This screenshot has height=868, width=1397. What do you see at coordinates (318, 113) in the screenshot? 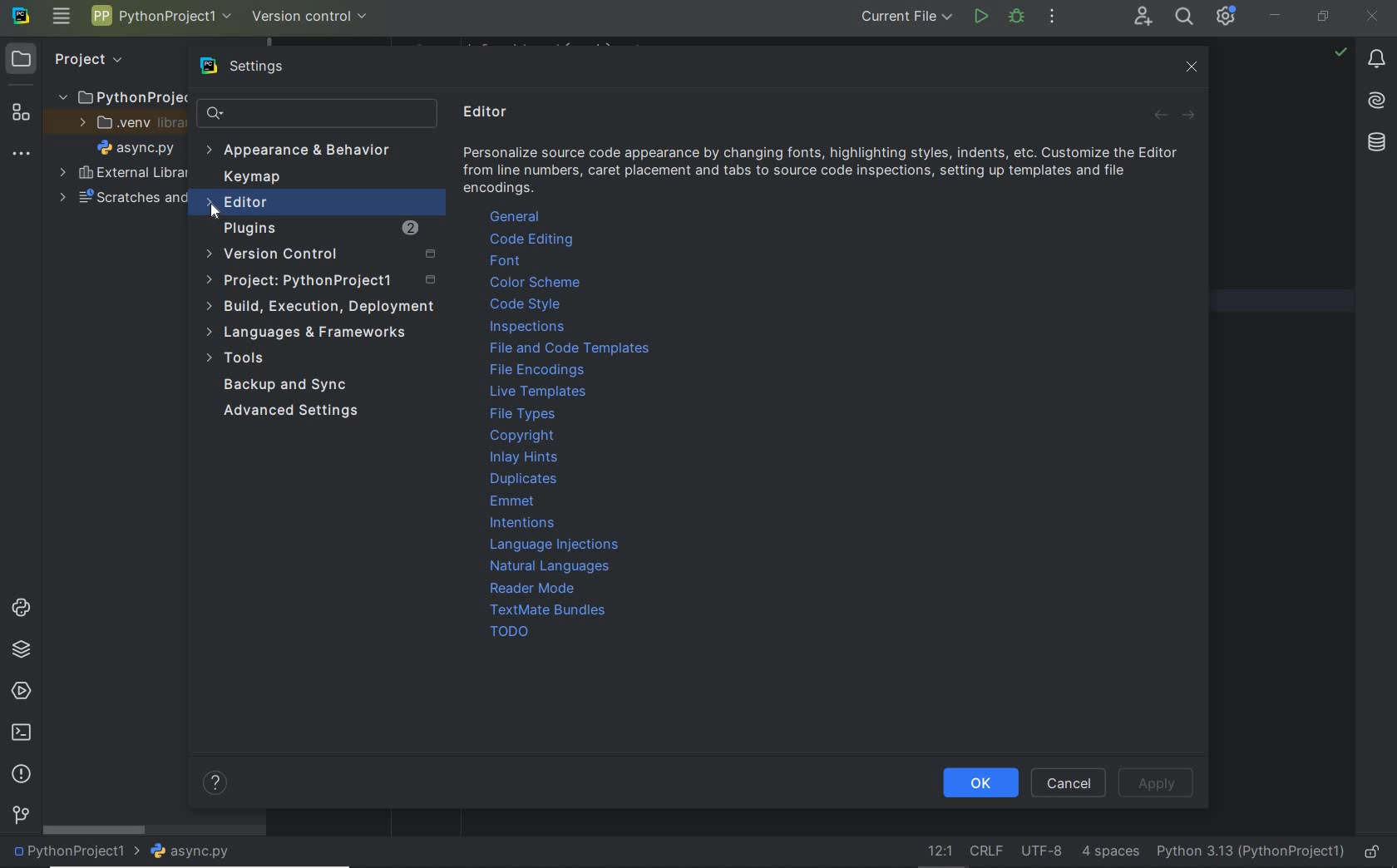
I see `search settings` at bounding box center [318, 113].